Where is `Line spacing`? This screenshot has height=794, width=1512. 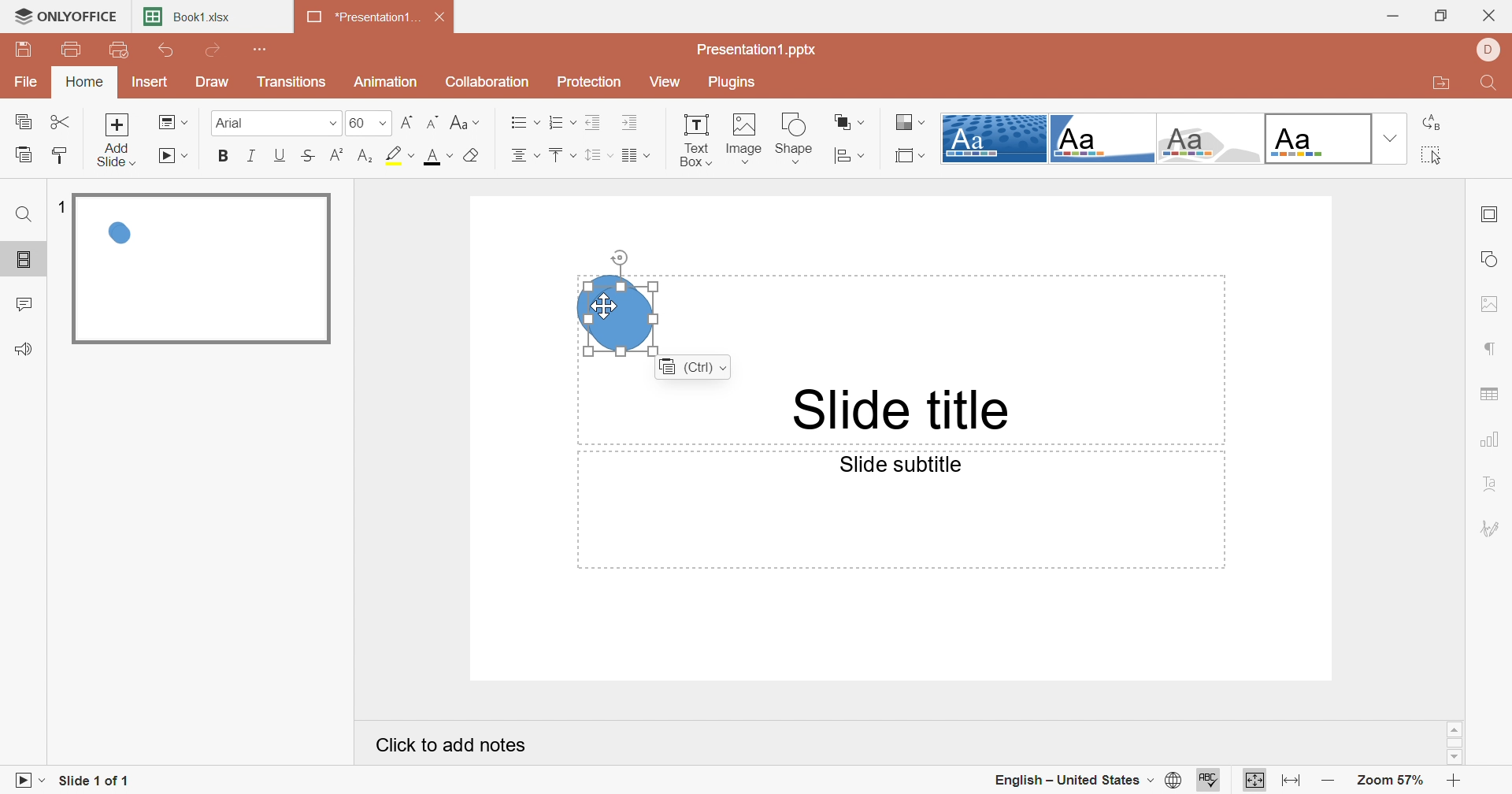
Line spacing is located at coordinates (598, 156).